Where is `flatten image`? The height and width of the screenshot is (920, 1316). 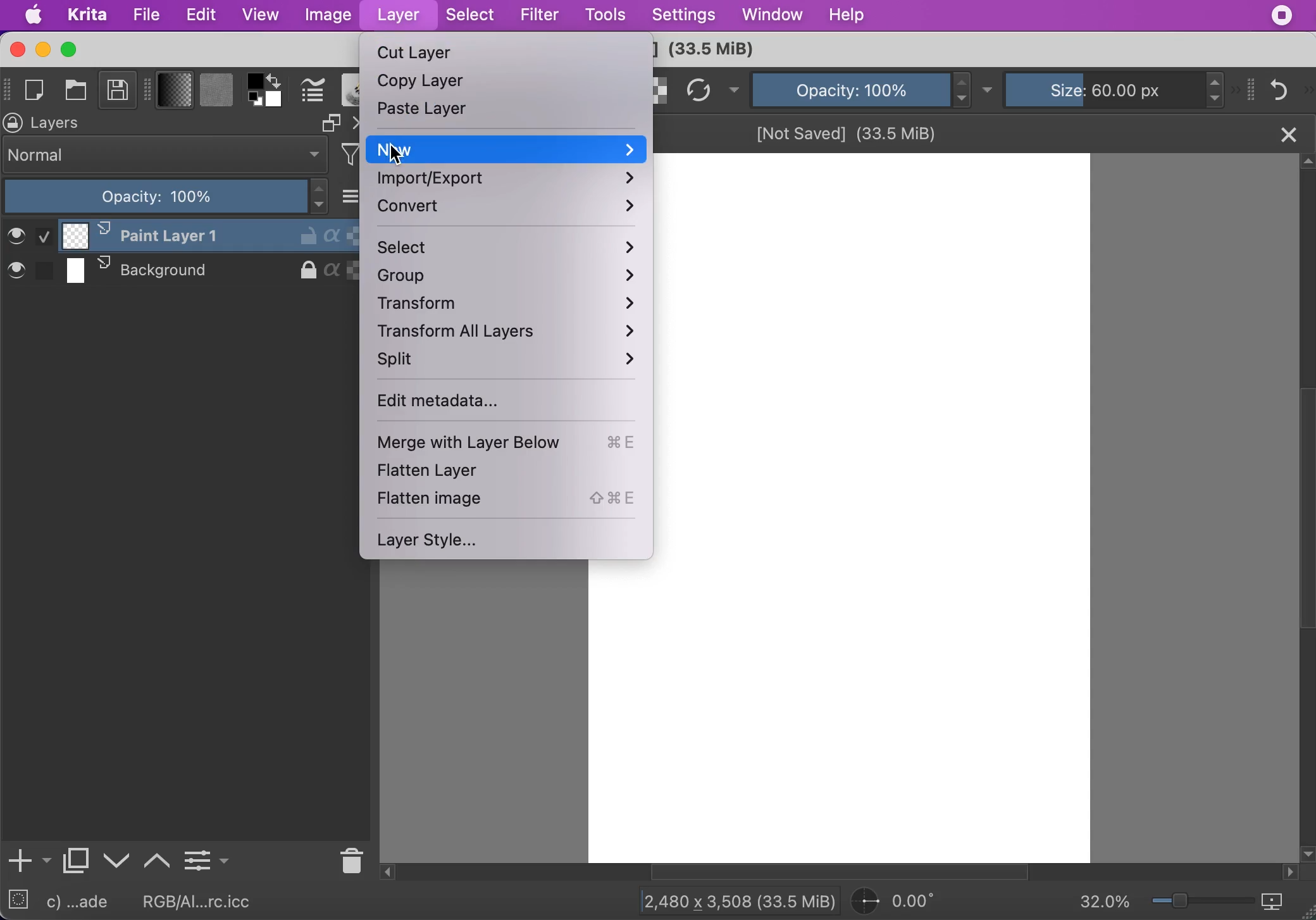 flatten image is located at coordinates (509, 499).